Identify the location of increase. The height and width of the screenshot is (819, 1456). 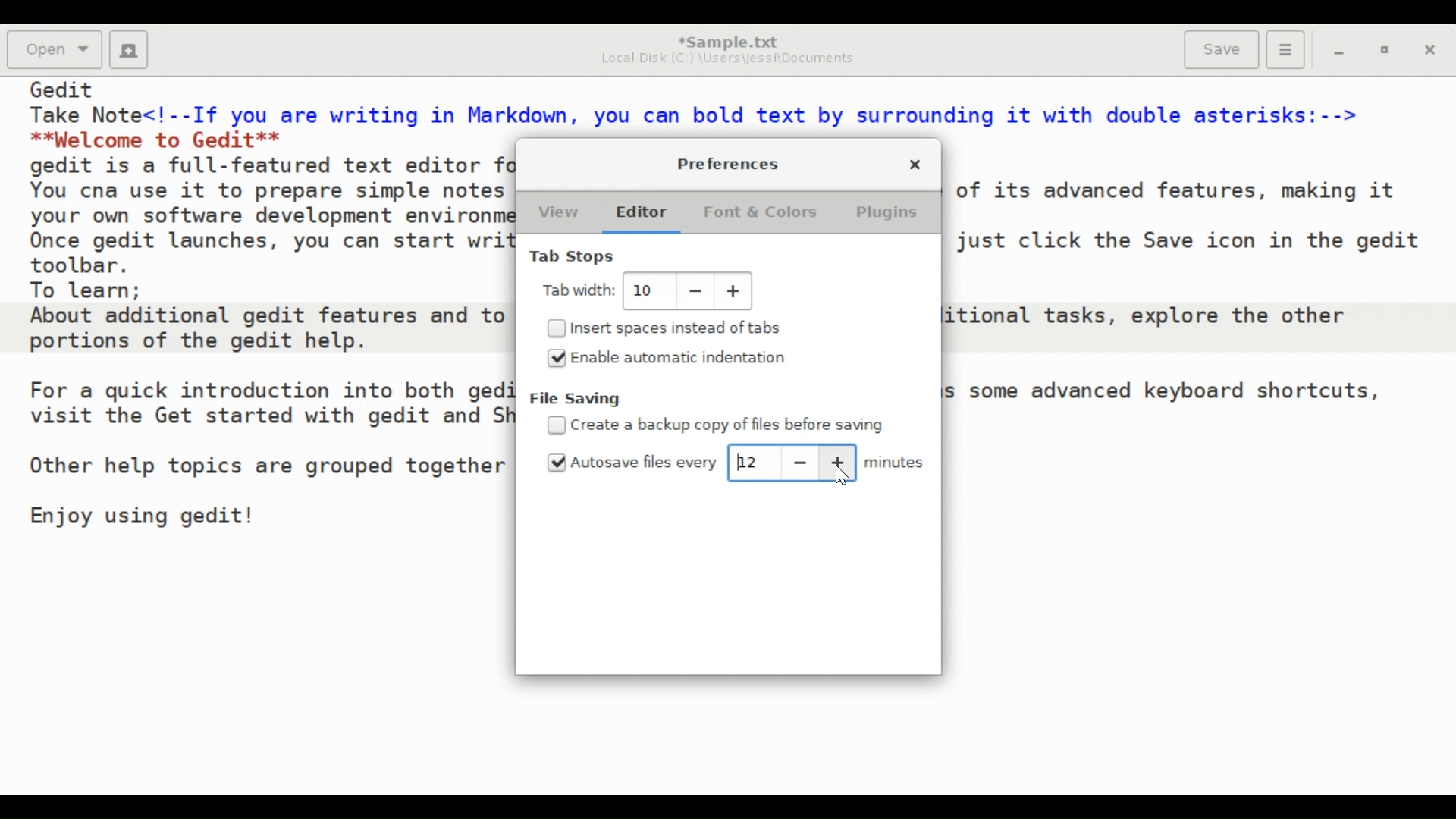
(838, 463).